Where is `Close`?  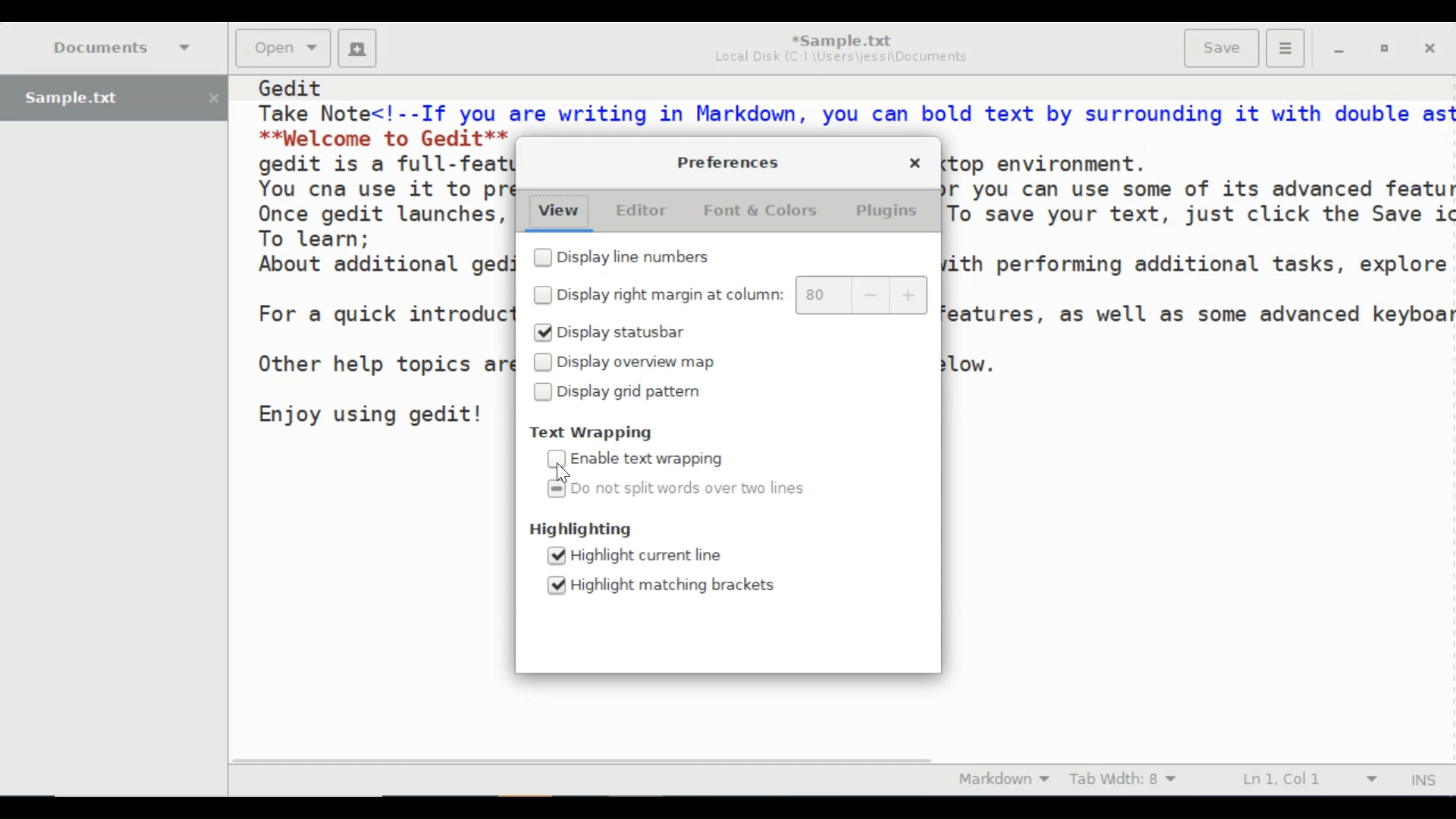
Close is located at coordinates (913, 163).